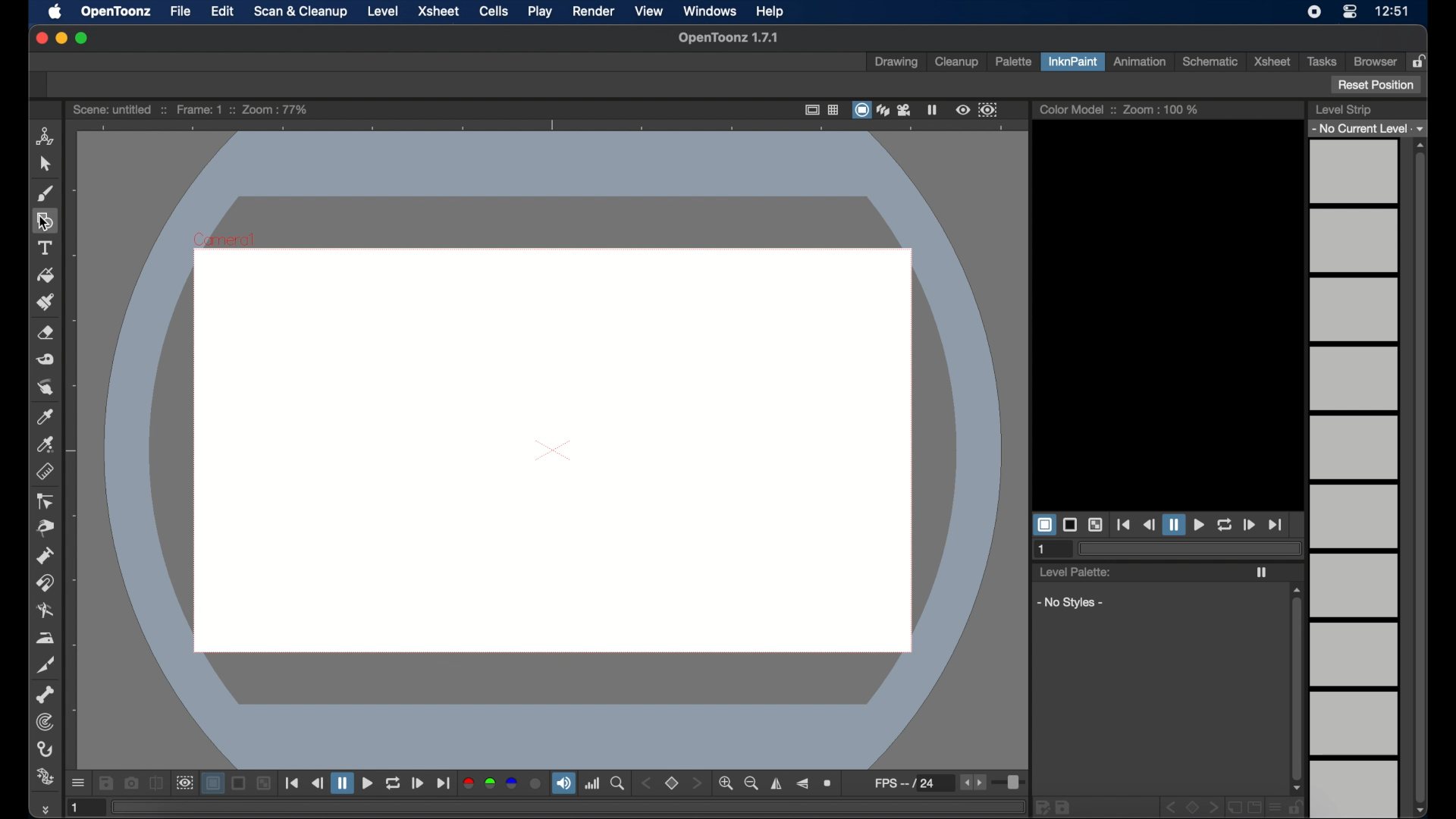  What do you see at coordinates (263, 783) in the screenshot?
I see `checkered background` at bounding box center [263, 783].